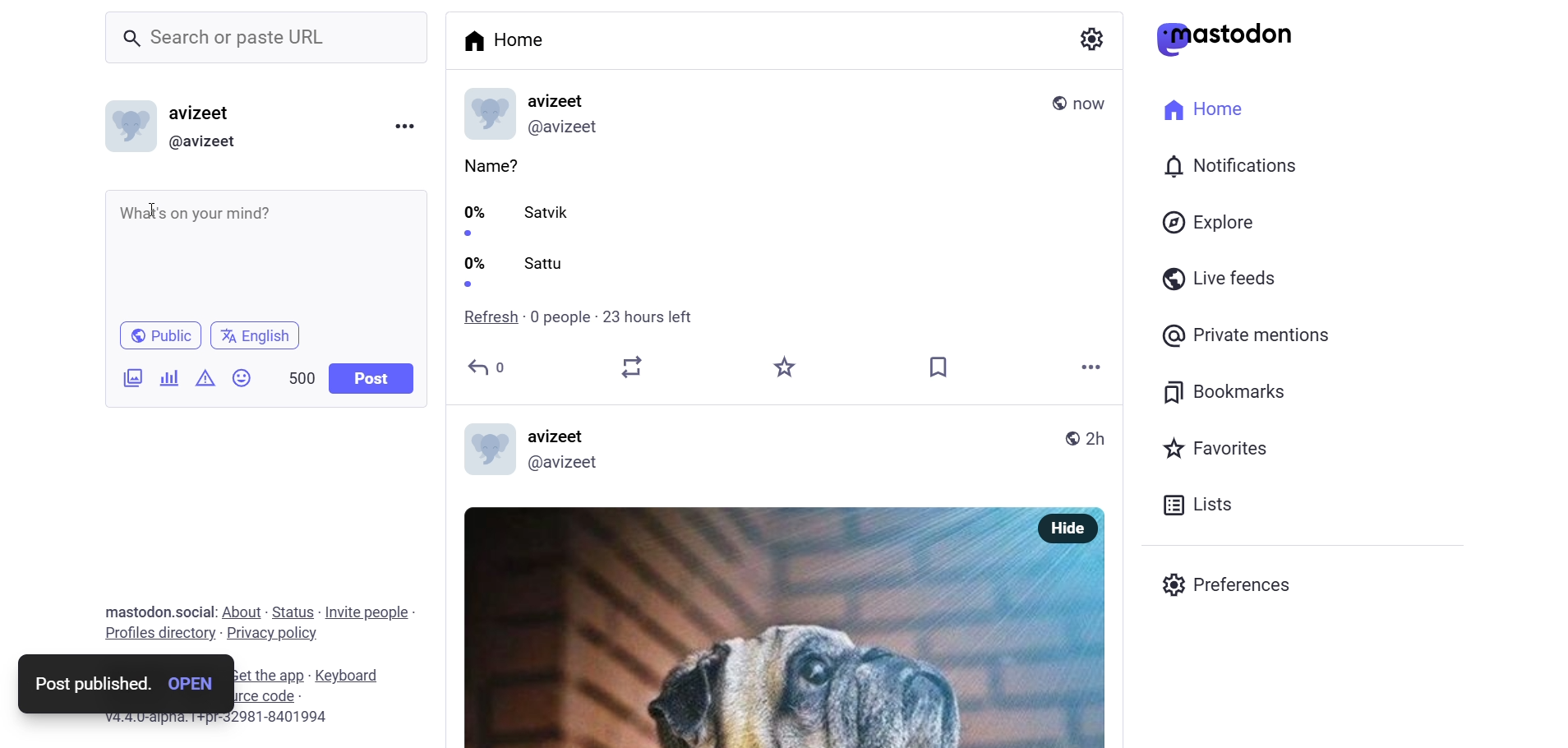 The width and height of the screenshot is (1568, 748). Describe the element at coordinates (566, 126) in the screenshot. I see `id` at that location.